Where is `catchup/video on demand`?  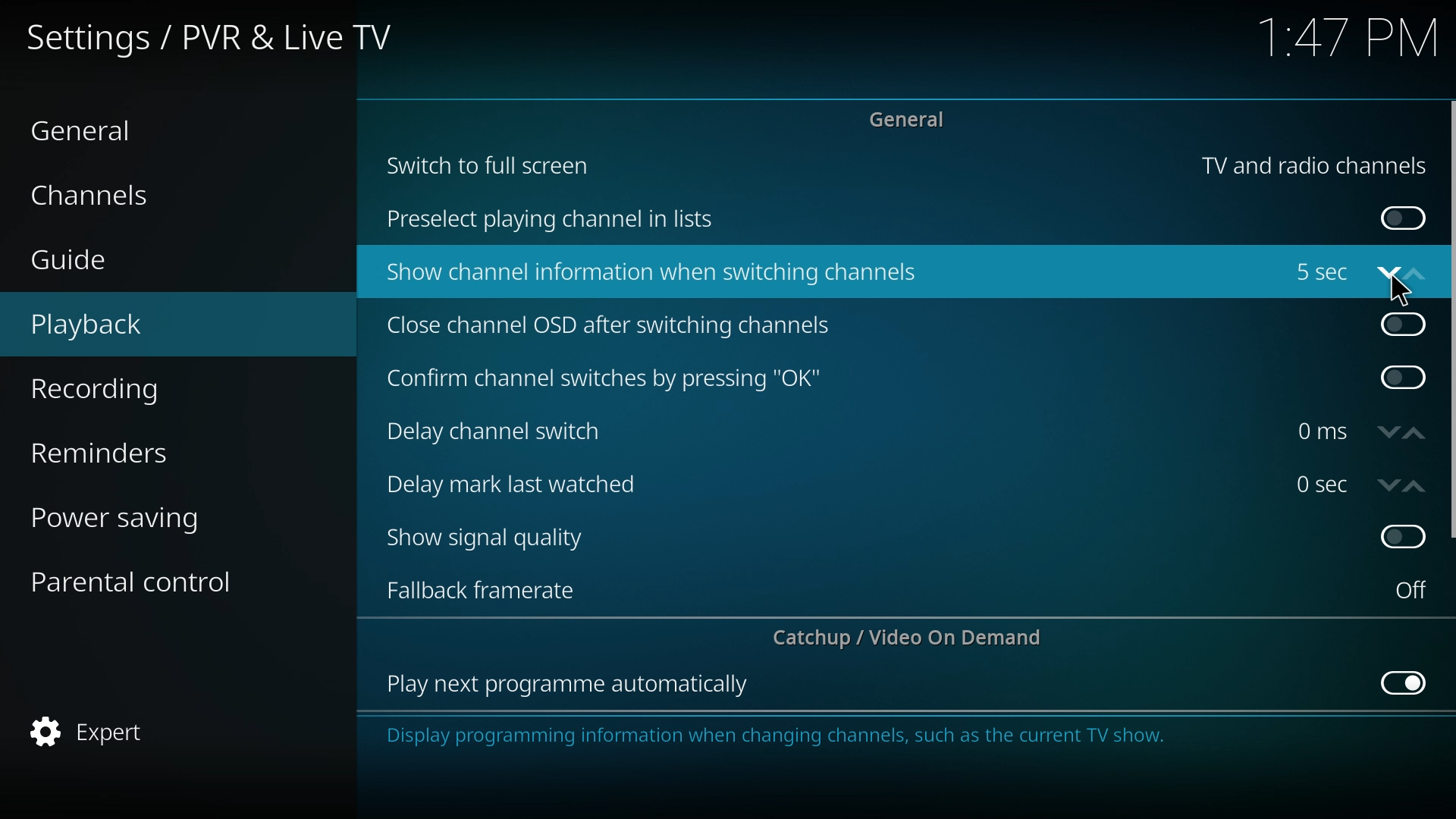
catchup/video on demand is located at coordinates (915, 637).